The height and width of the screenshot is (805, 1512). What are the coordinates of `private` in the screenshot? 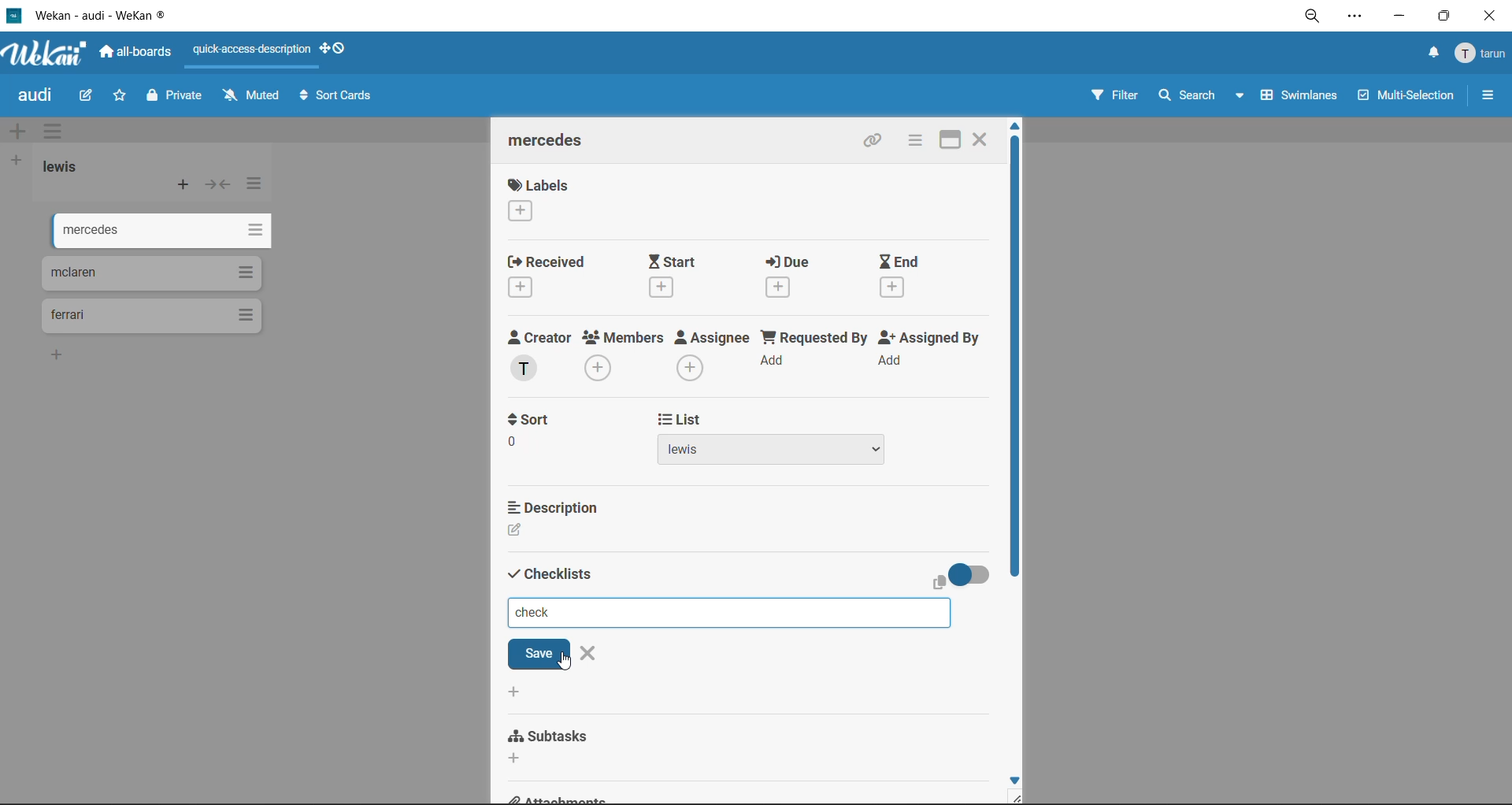 It's located at (176, 98).